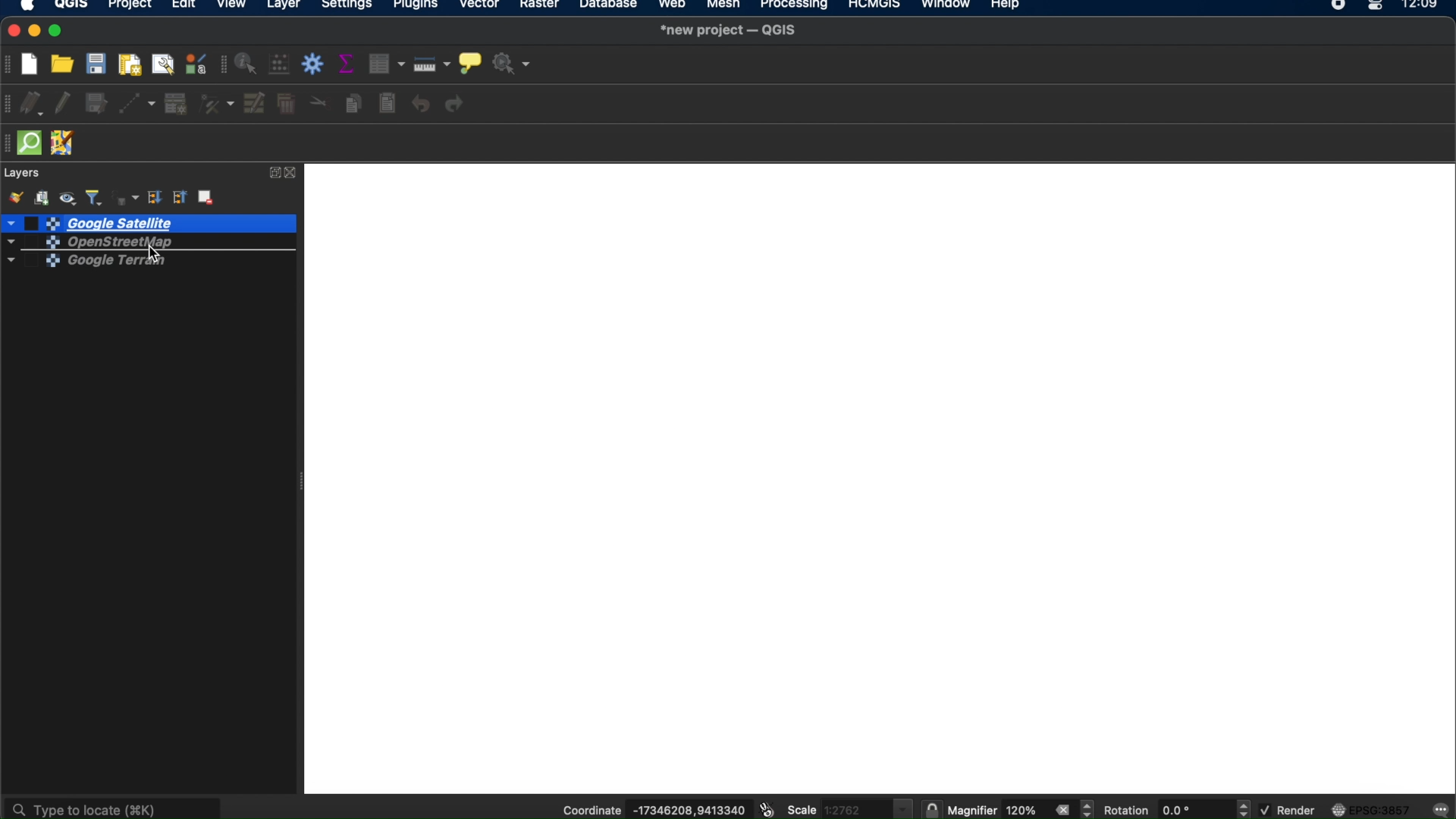 The image size is (1456, 819). I want to click on messages, so click(1442, 808).